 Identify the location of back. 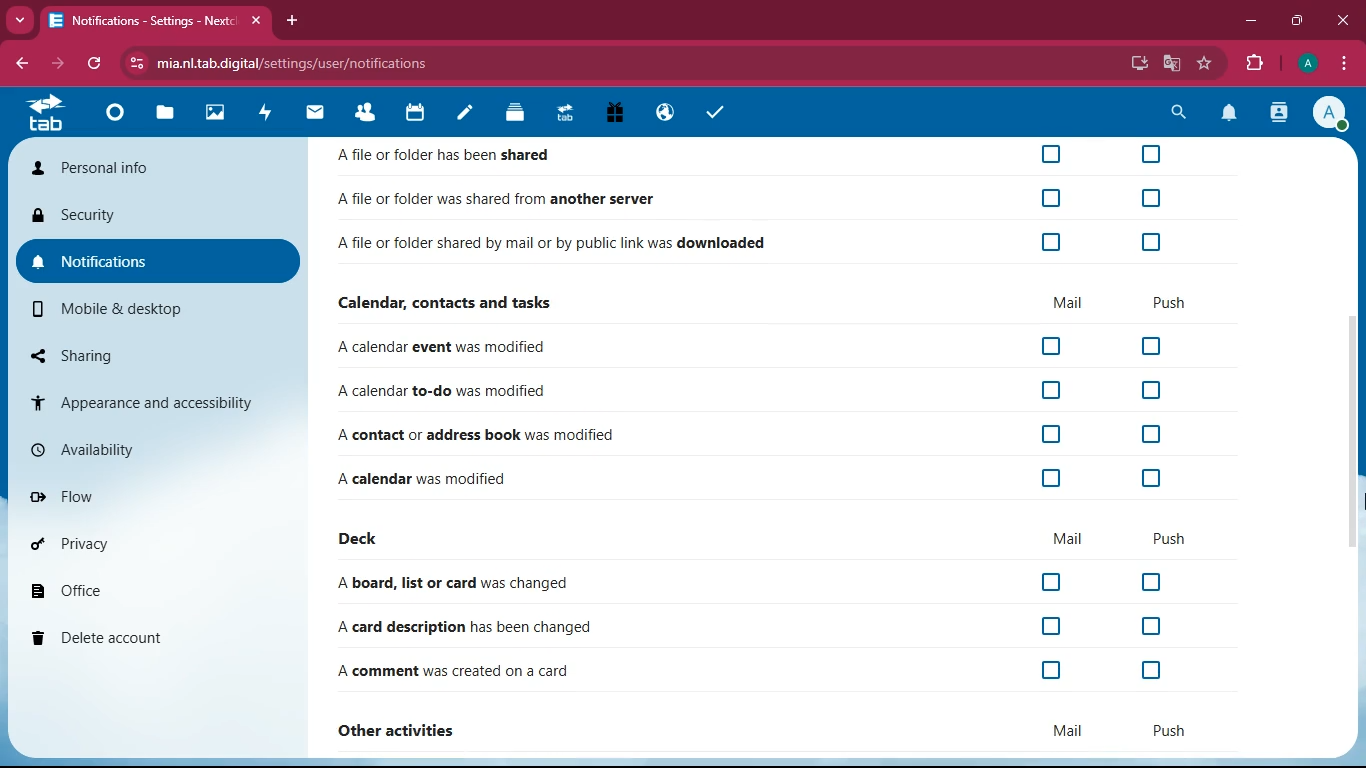
(22, 63).